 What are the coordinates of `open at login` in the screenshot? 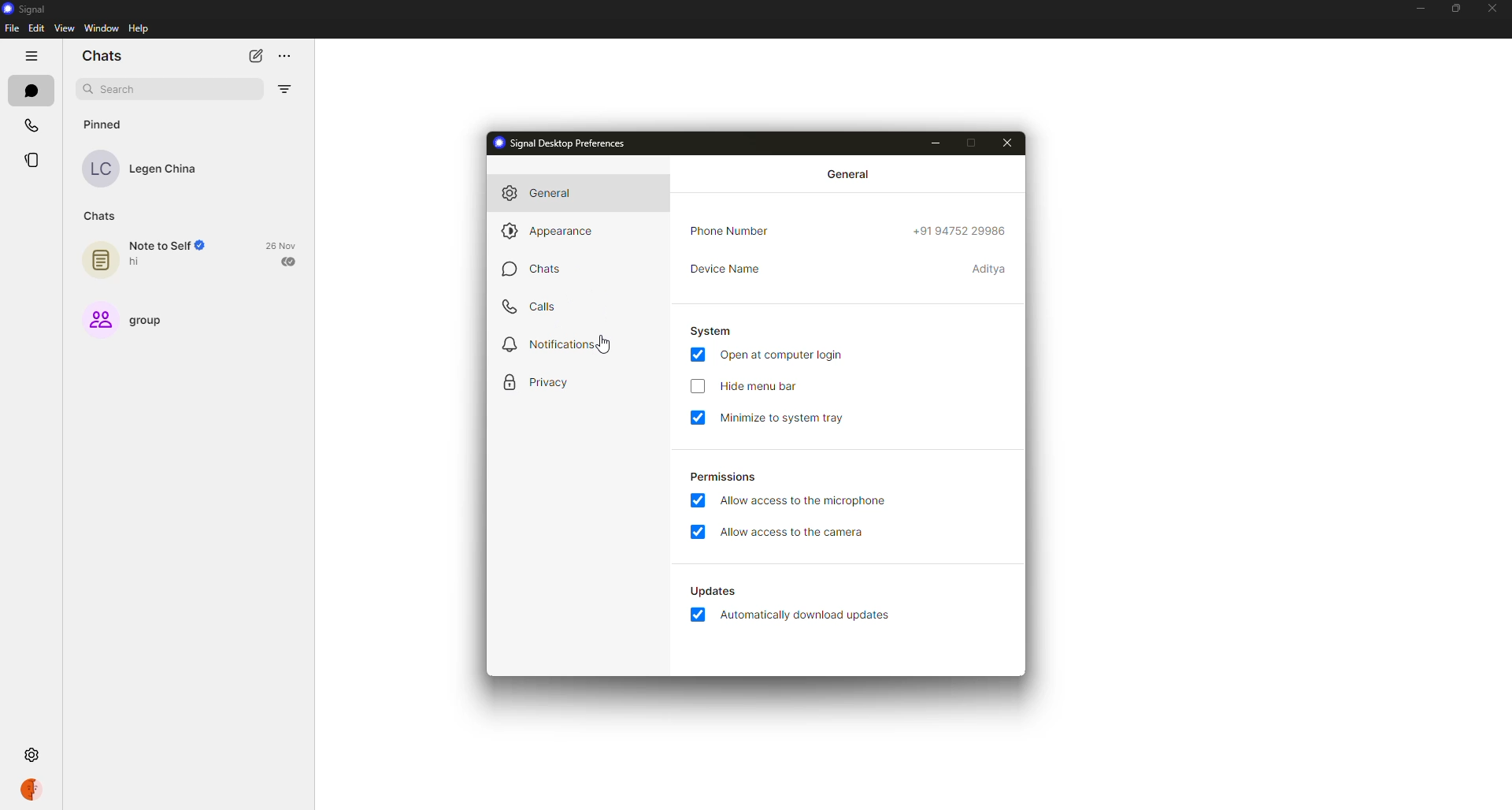 It's located at (787, 355).